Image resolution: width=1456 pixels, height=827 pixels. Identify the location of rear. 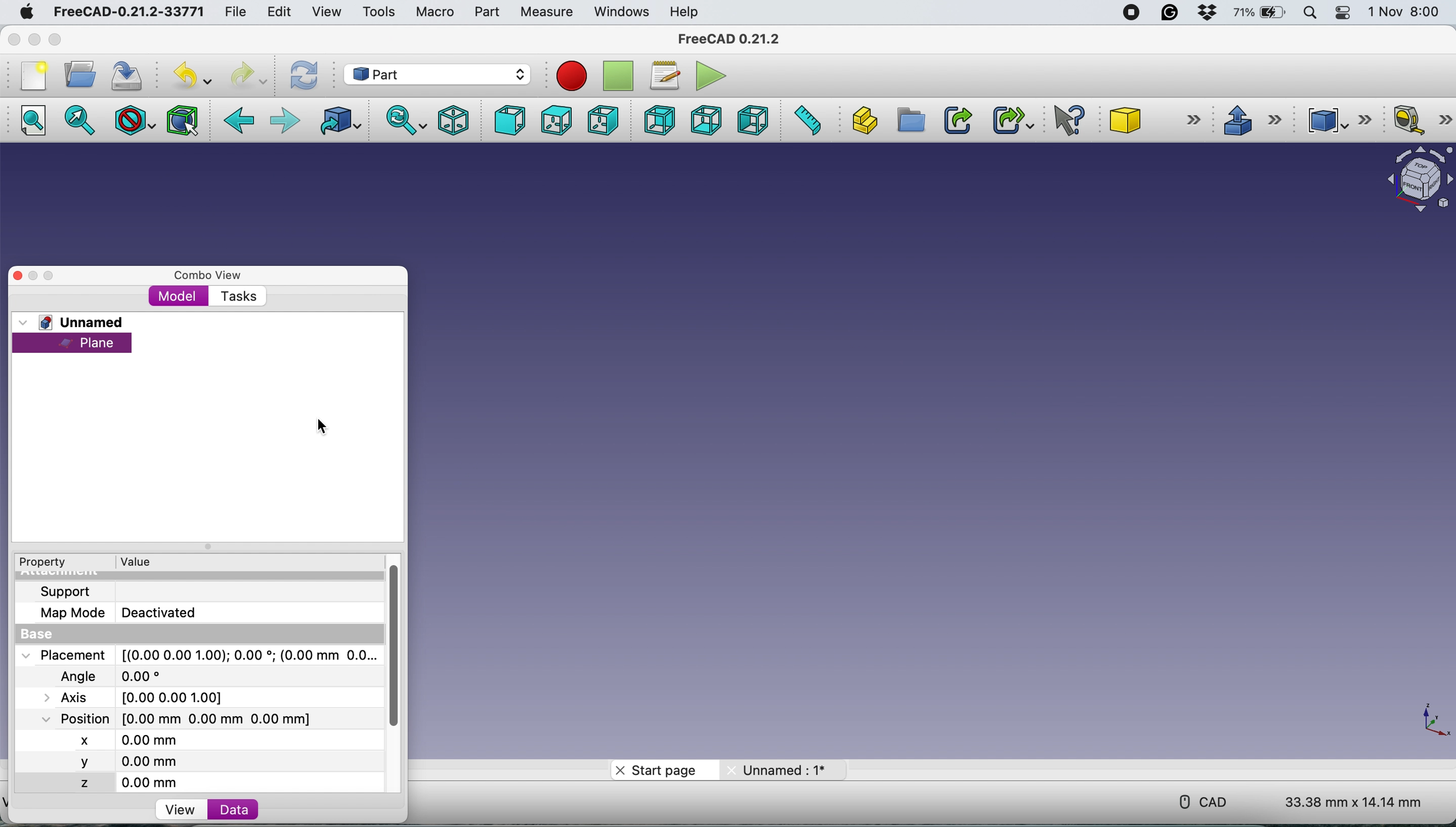
(659, 119).